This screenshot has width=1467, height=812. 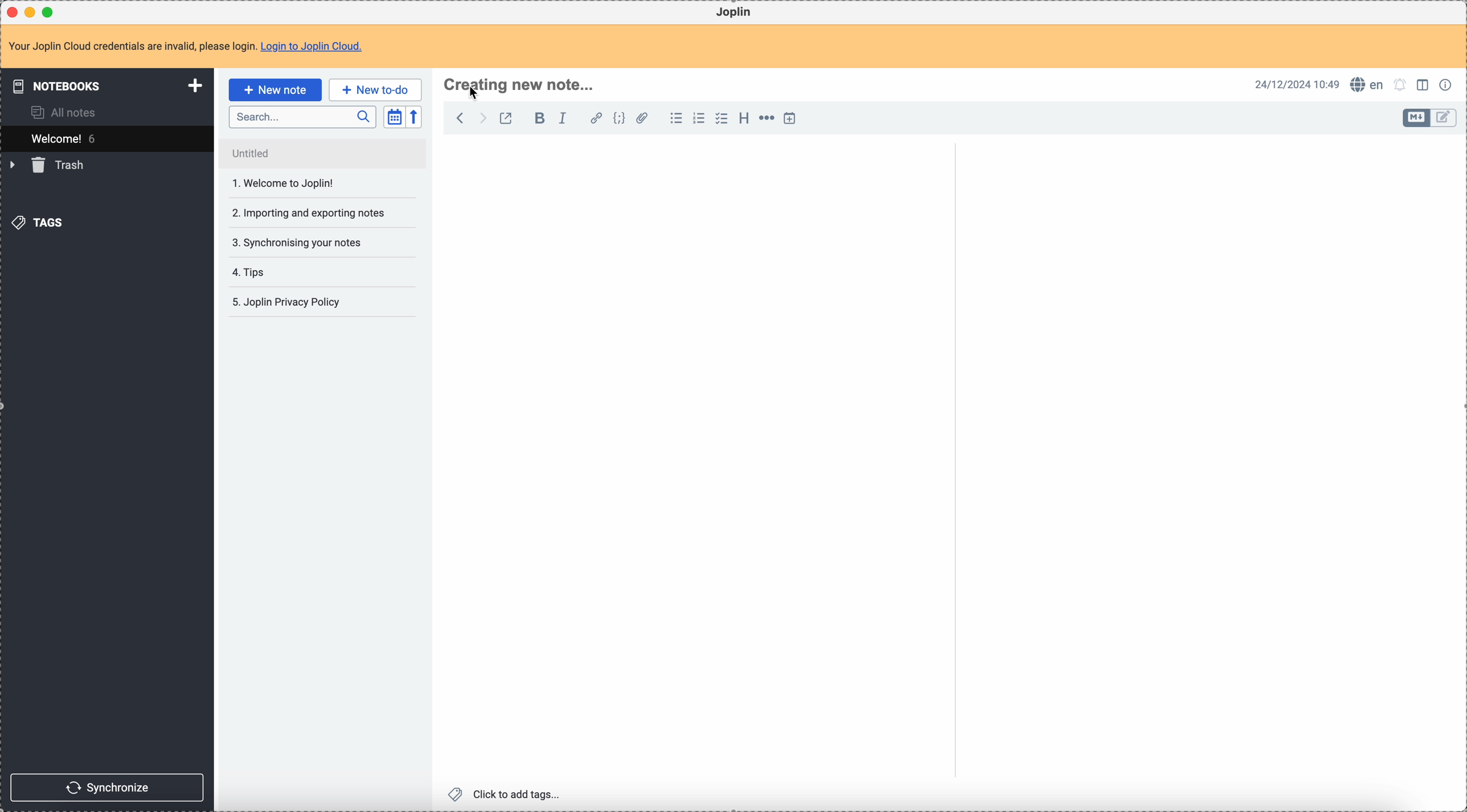 What do you see at coordinates (744, 121) in the screenshot?
I see `heading` at bounding box center [744, 121].